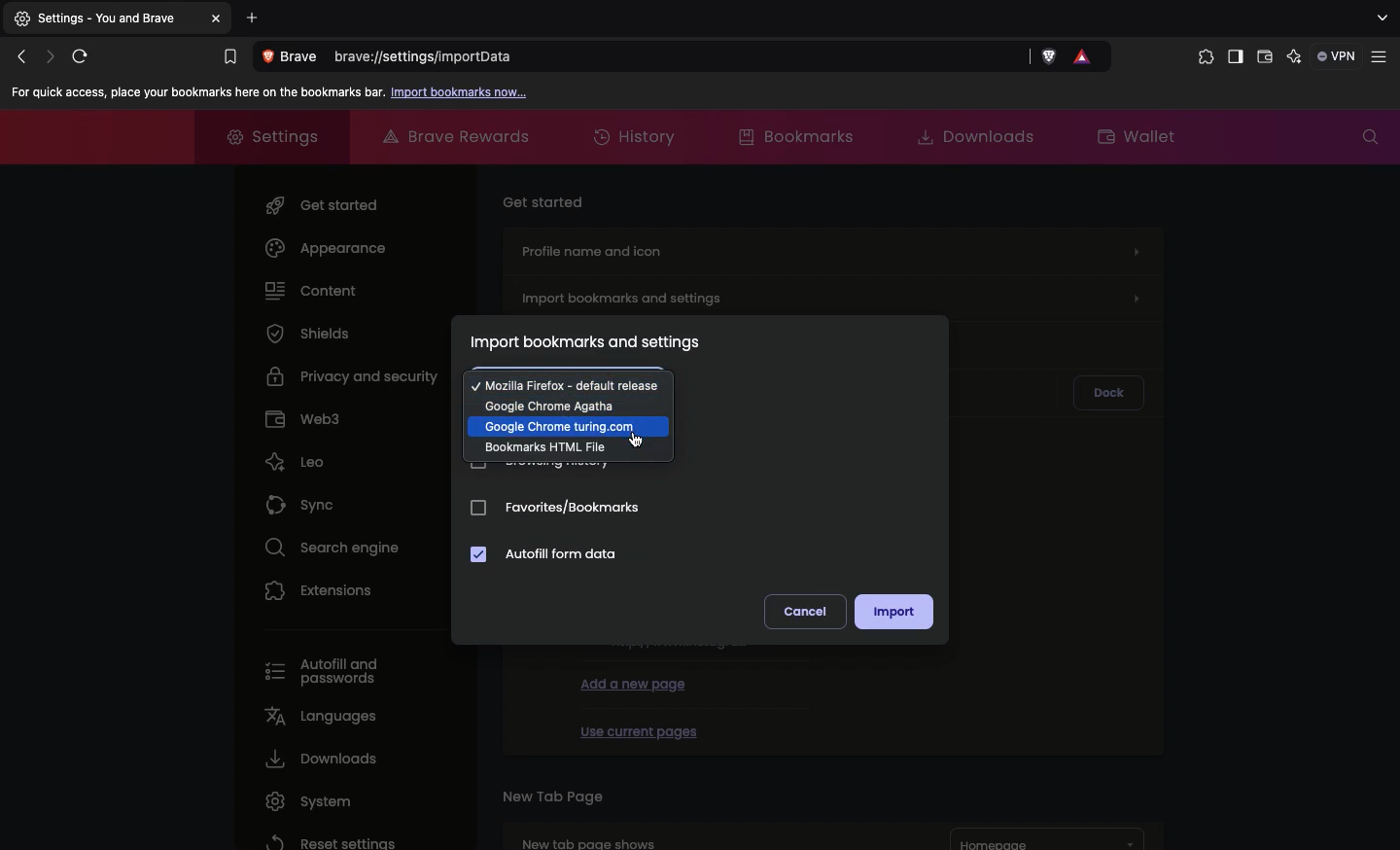  What do you see at coordinates (552, 795) in the screenshot?
I see `New tab page` at bounding box center [552, 795].